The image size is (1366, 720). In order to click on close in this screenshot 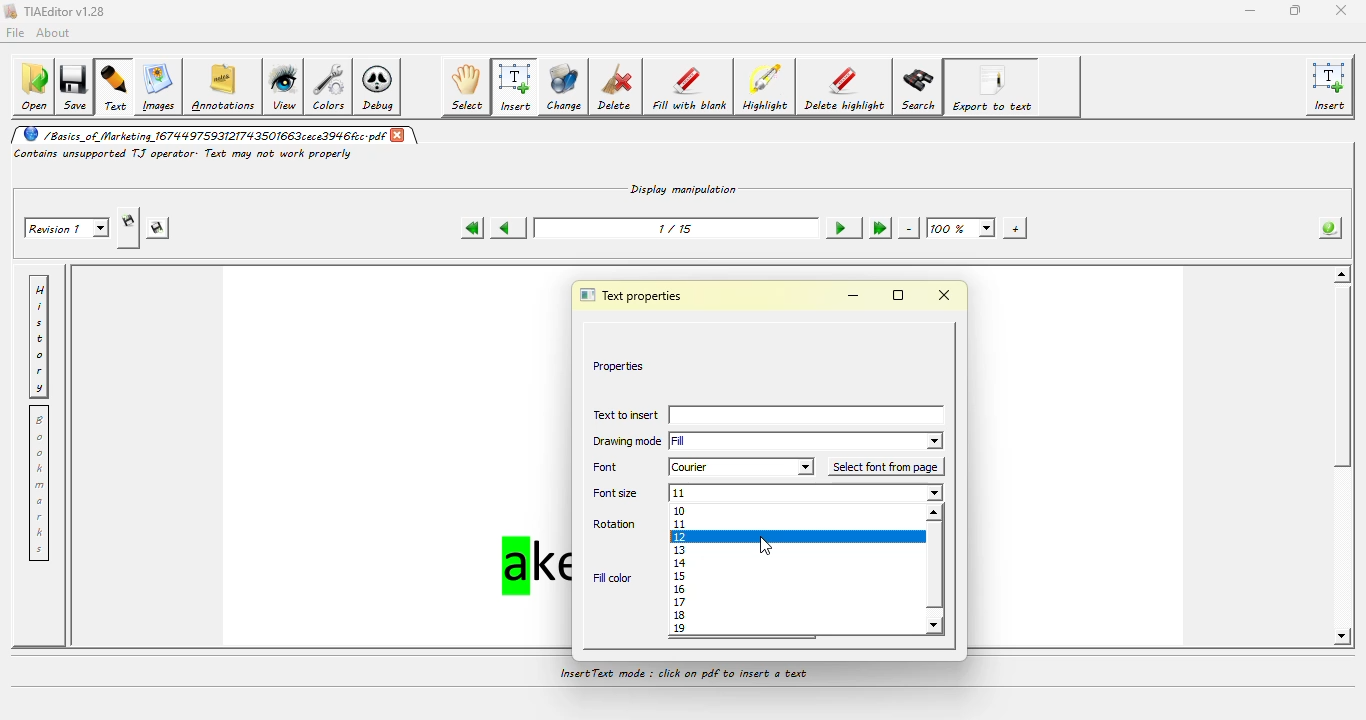, I will do `click(1340, 10)`.